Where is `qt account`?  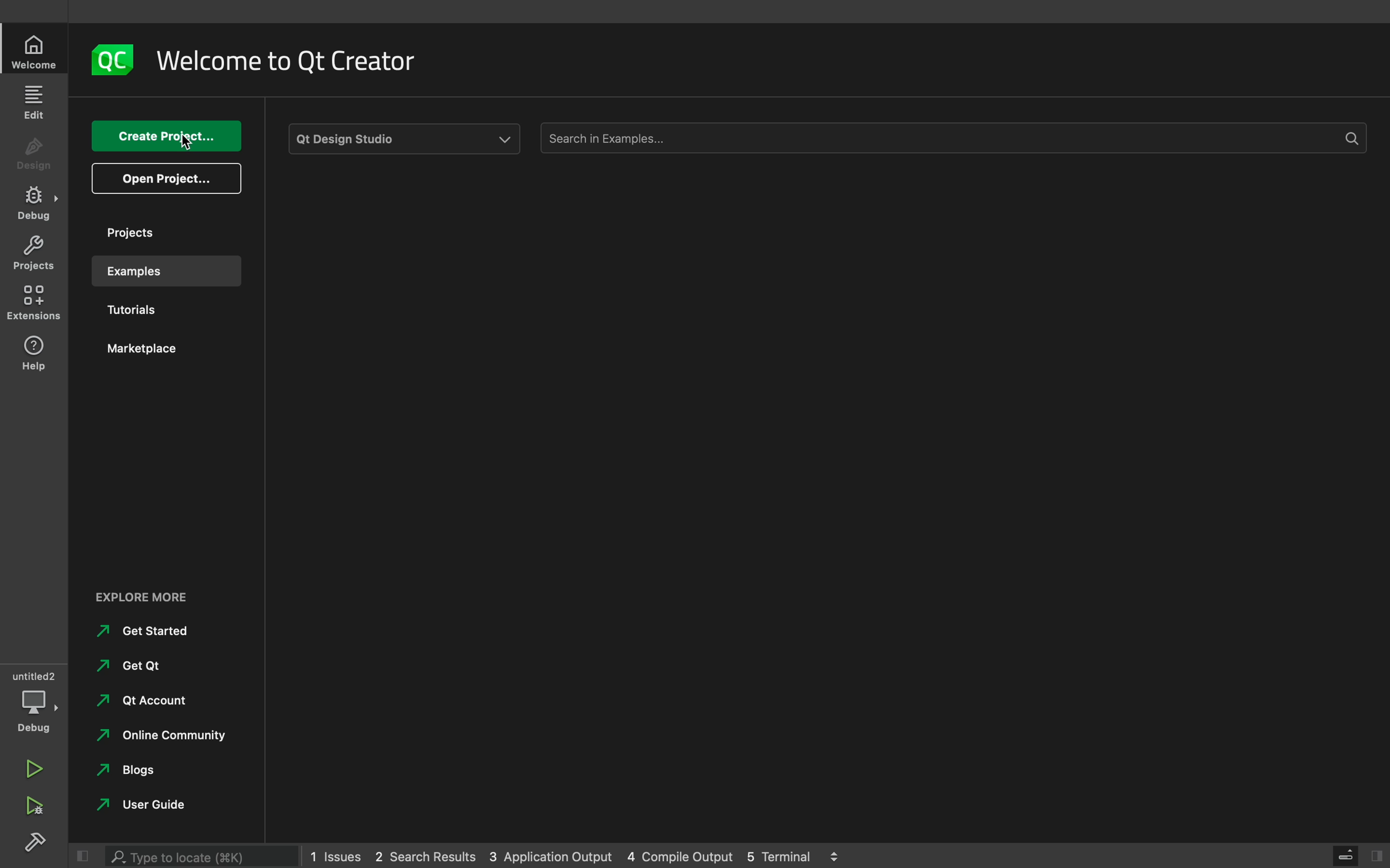 qt account is located at coordinates (138, 705).